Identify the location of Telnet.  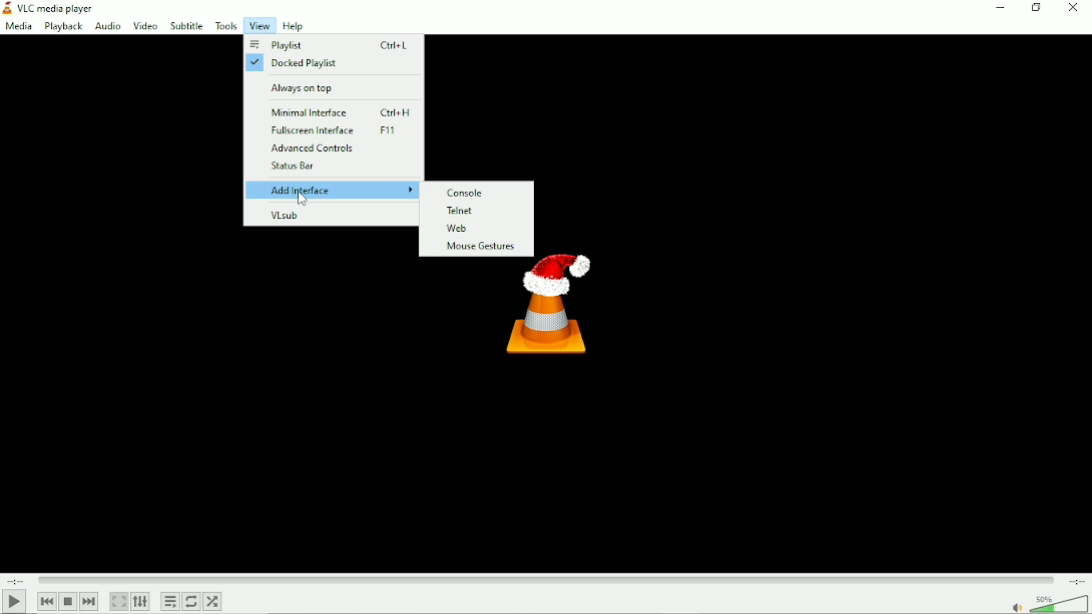
(479, 210).